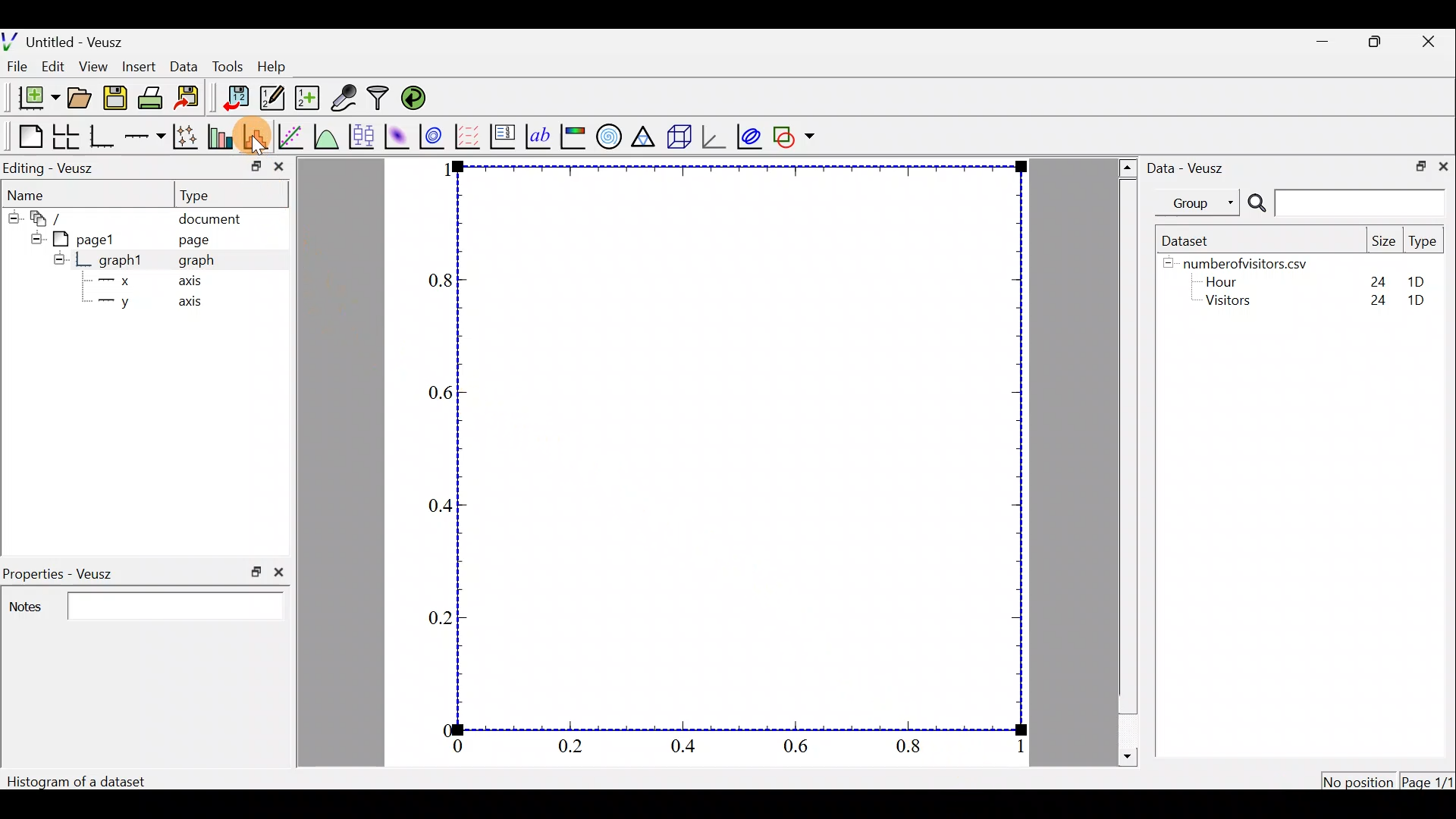  Describe the element at coordinates (1234, 303) in the screenshot. I see `Visitors` at that location.